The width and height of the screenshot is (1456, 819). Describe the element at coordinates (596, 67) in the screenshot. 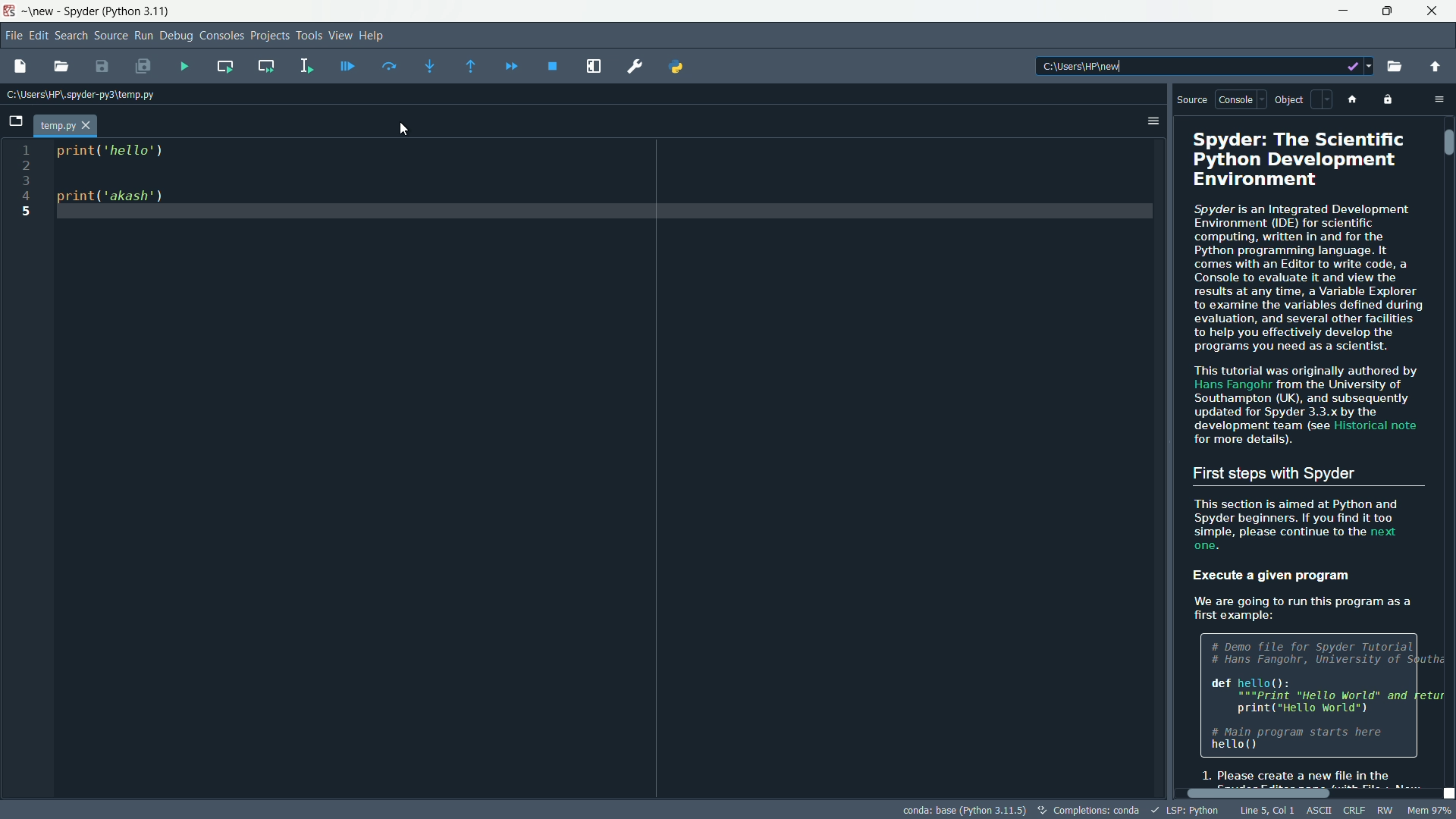

I see `maximize current pane` at that location.